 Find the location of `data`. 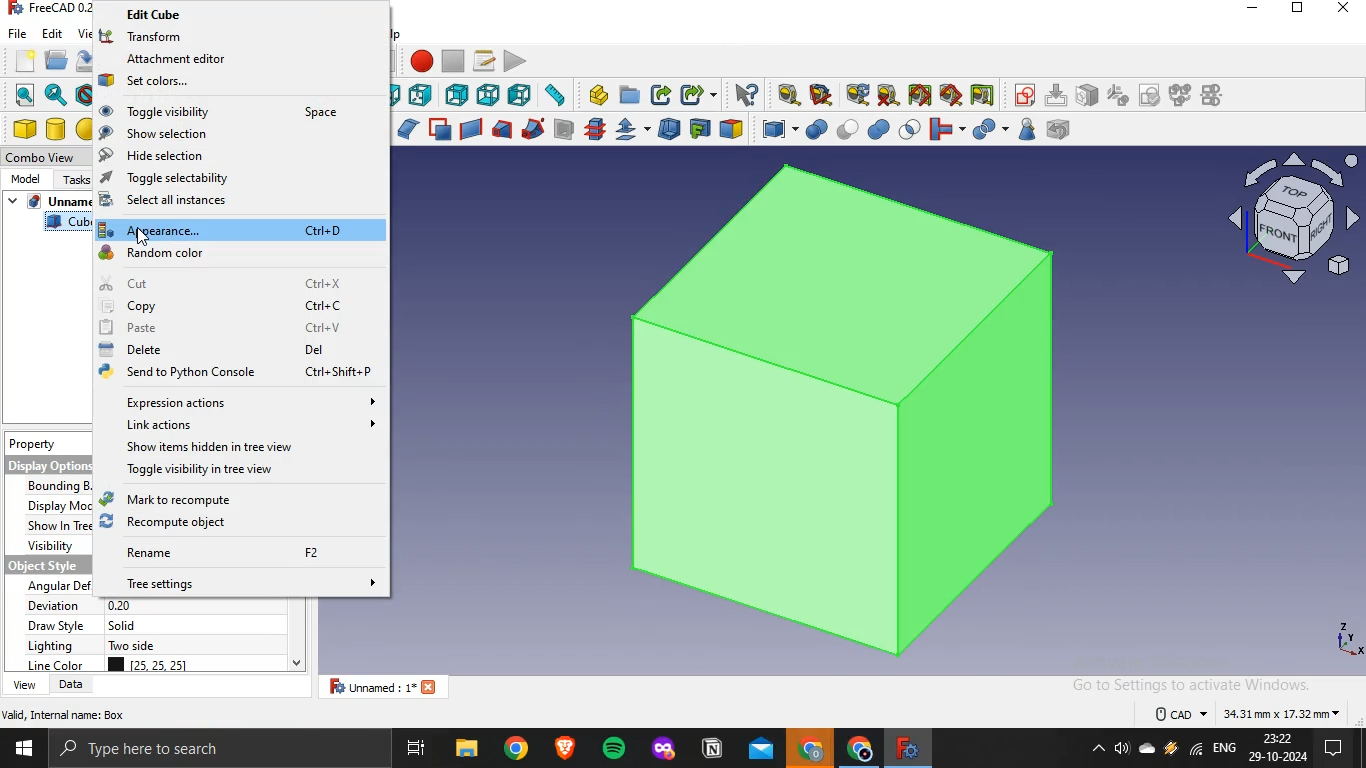

data is located at coordinates (73, 684).